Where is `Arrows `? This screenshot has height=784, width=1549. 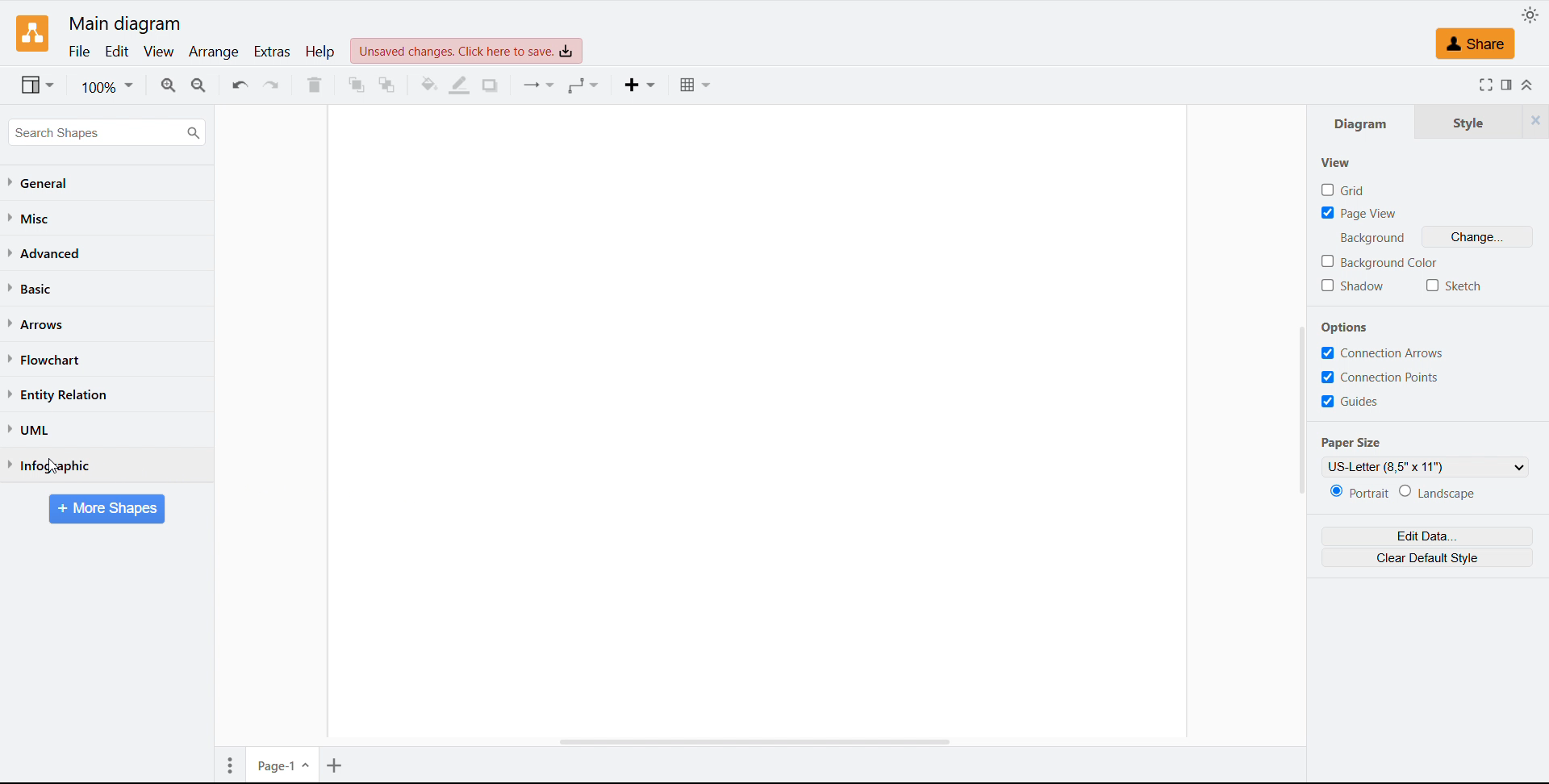 Arrows  is located at coordinates (39, 324).